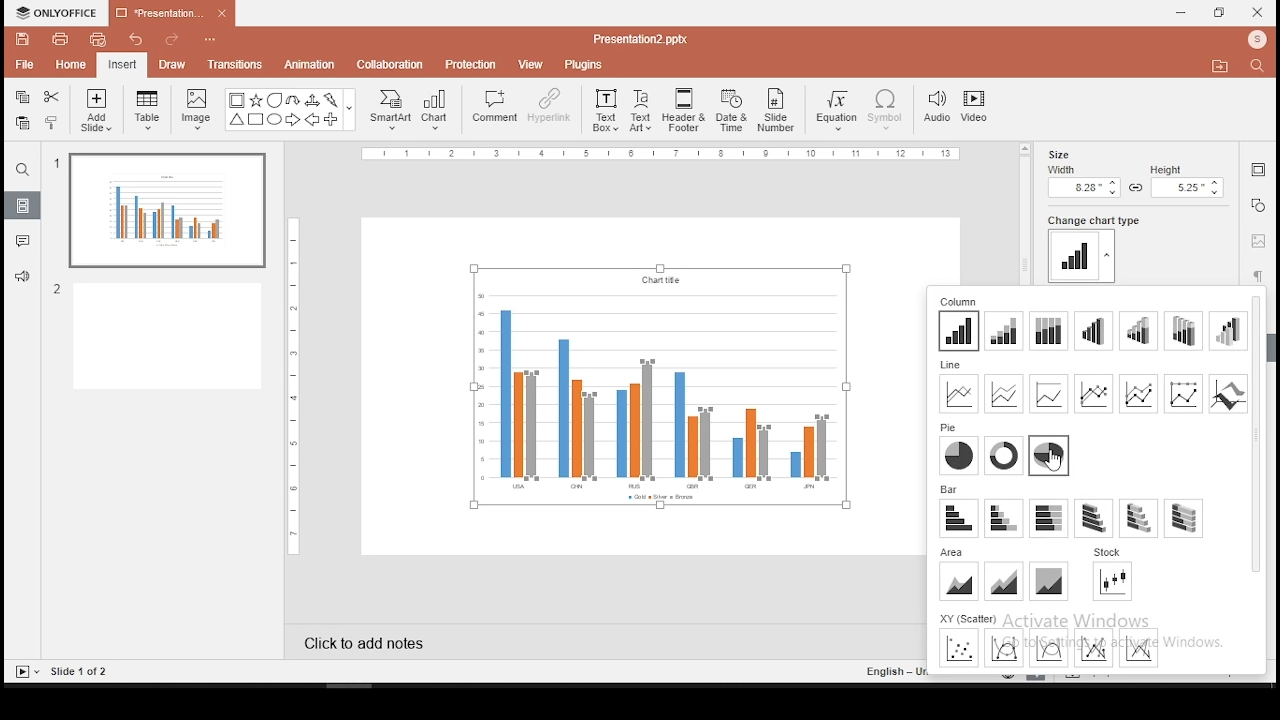  I want to click on date and time, so click(730, 110).